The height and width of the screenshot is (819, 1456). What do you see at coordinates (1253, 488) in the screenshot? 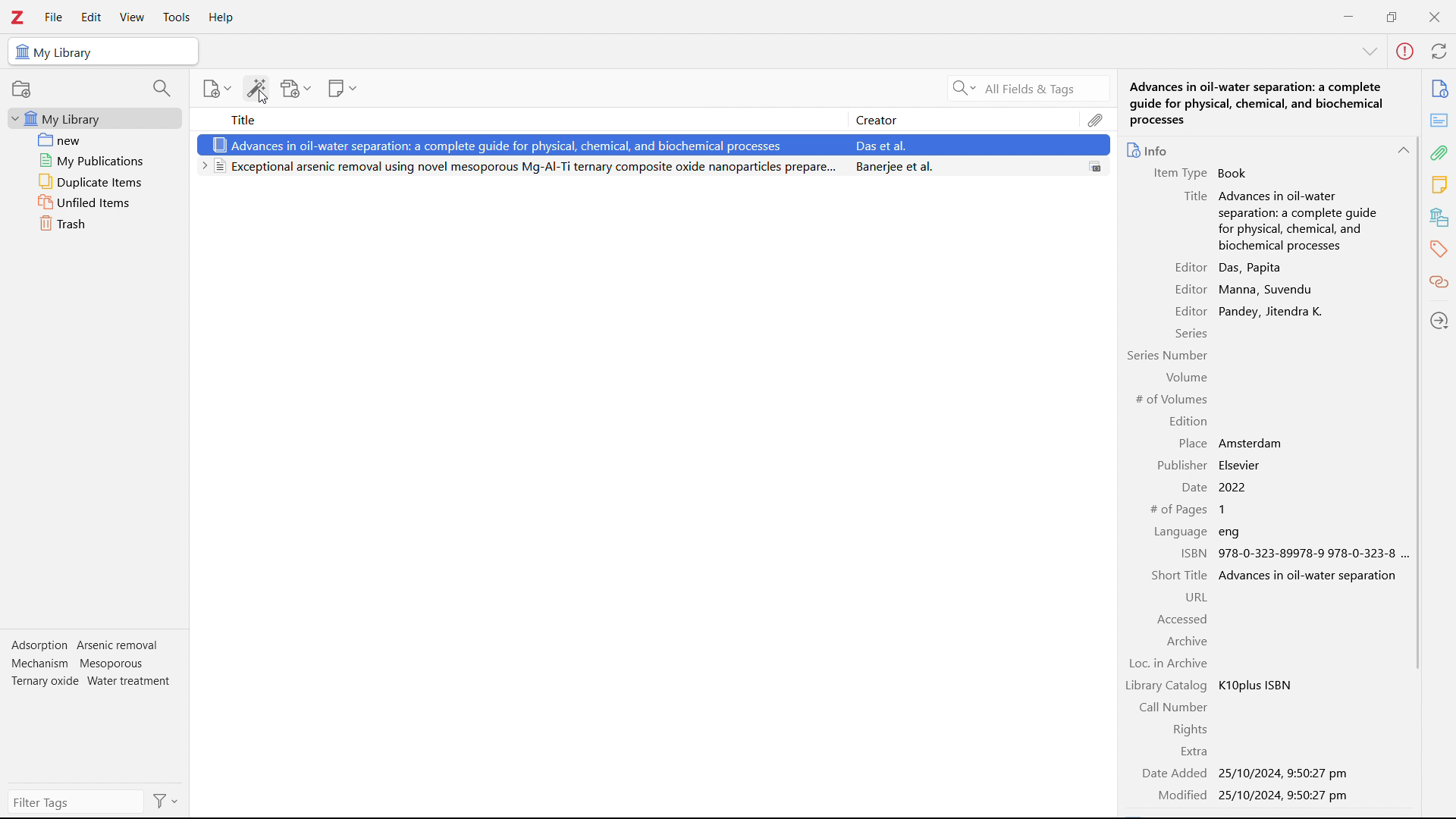
I see `2022` at bounding box center [1253, 488].